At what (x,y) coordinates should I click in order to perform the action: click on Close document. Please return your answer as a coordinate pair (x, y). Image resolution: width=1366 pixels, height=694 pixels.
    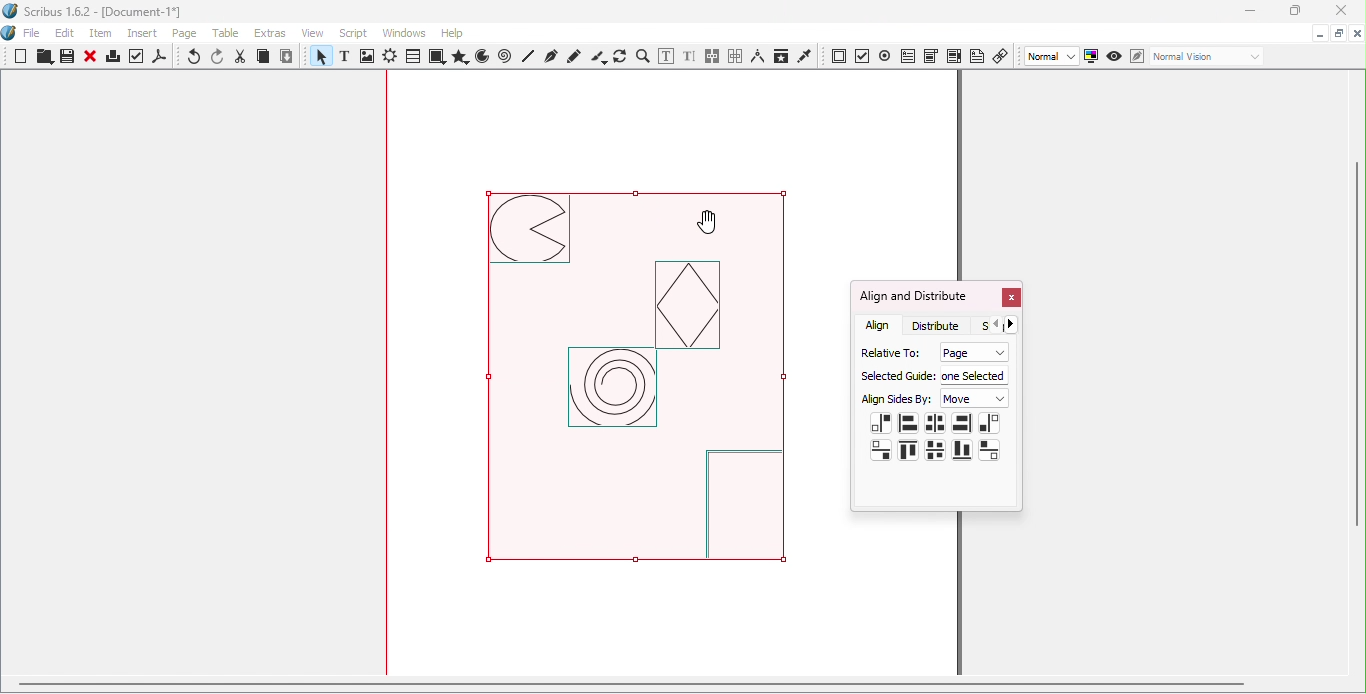
    Looking at the image, I should click on (1357, 34).